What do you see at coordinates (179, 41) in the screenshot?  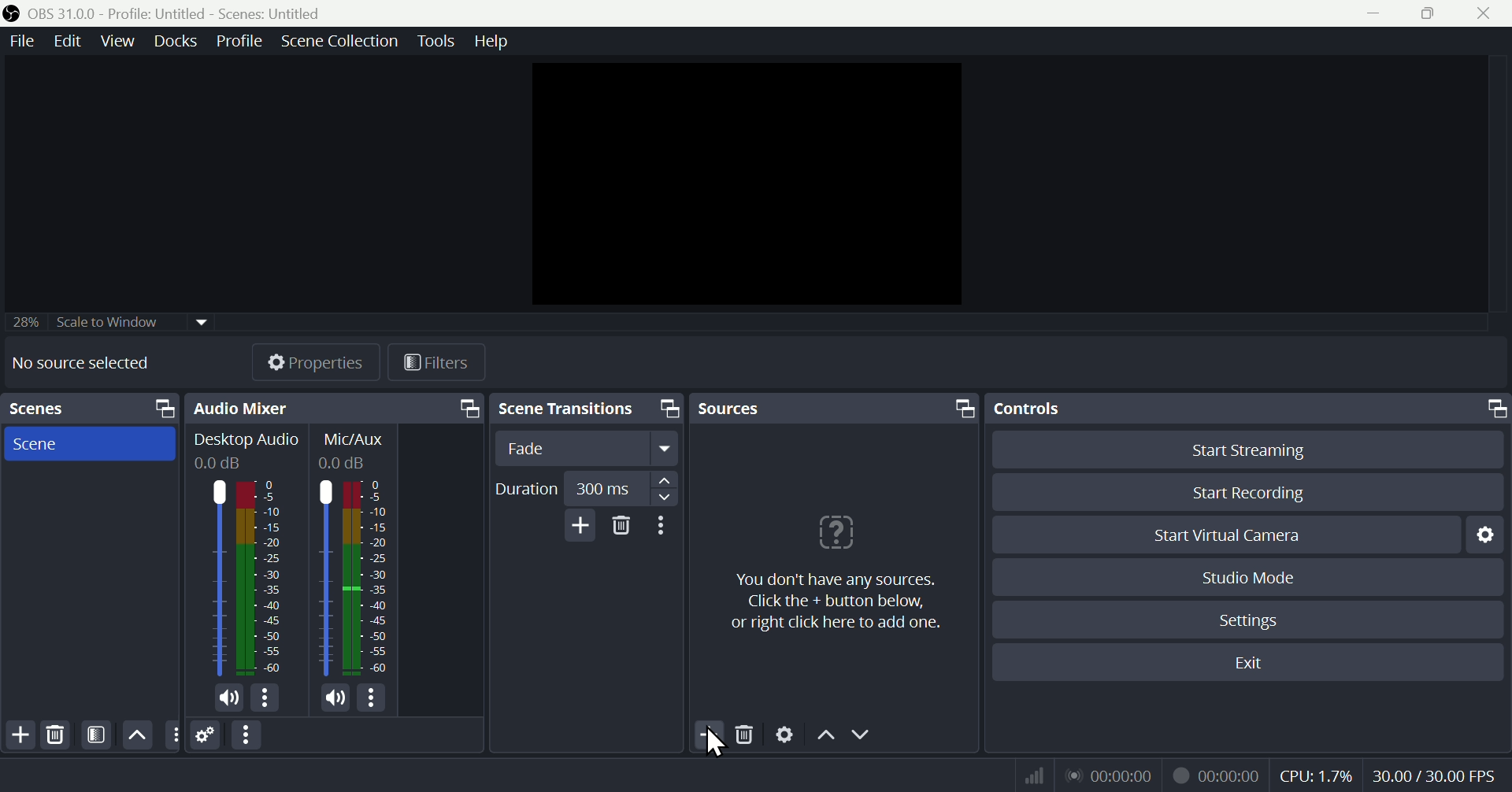 I see `Docks` at bounding box center [179, 41].